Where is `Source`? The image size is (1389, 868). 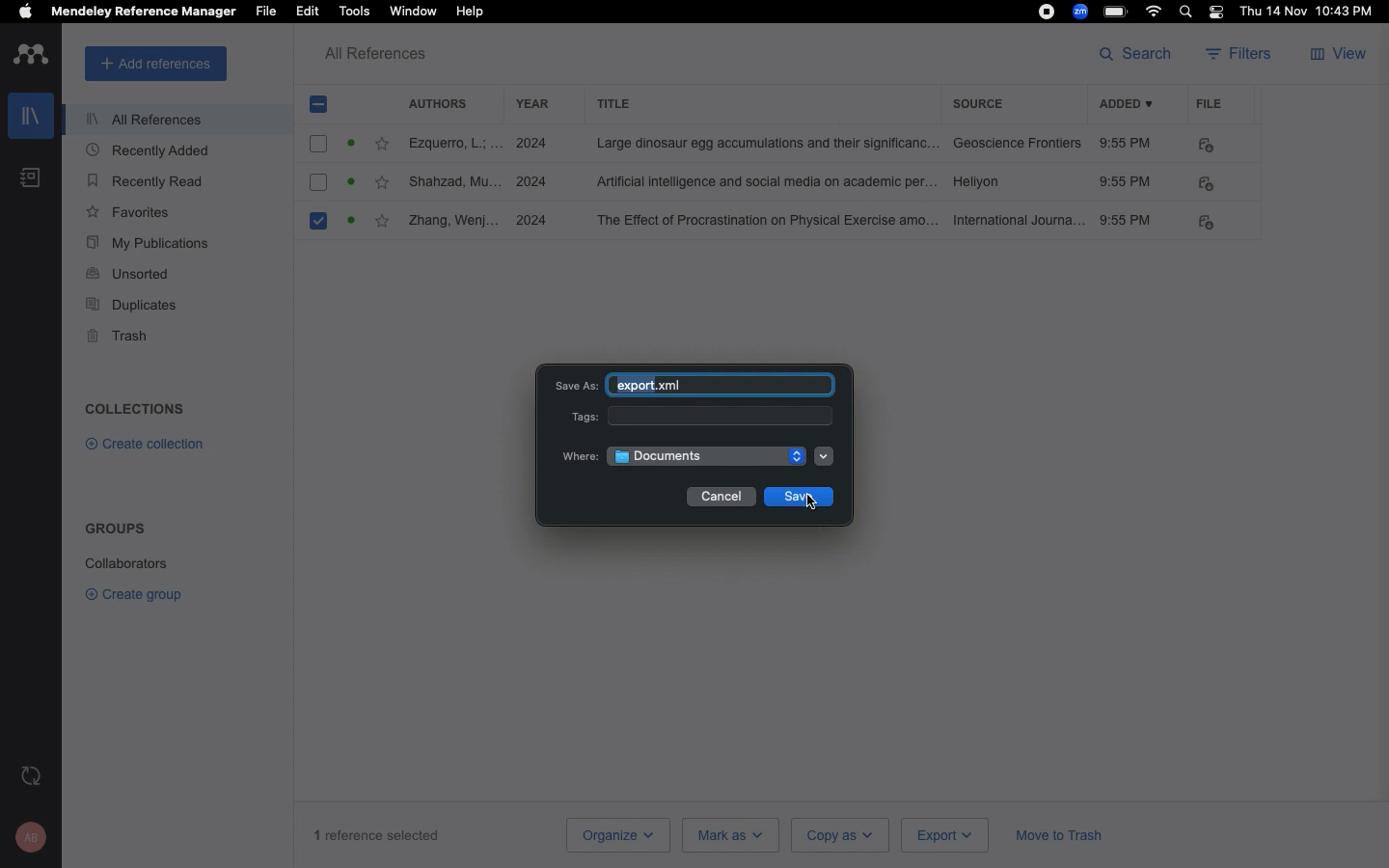
Source is located at coordinates (984, 106).